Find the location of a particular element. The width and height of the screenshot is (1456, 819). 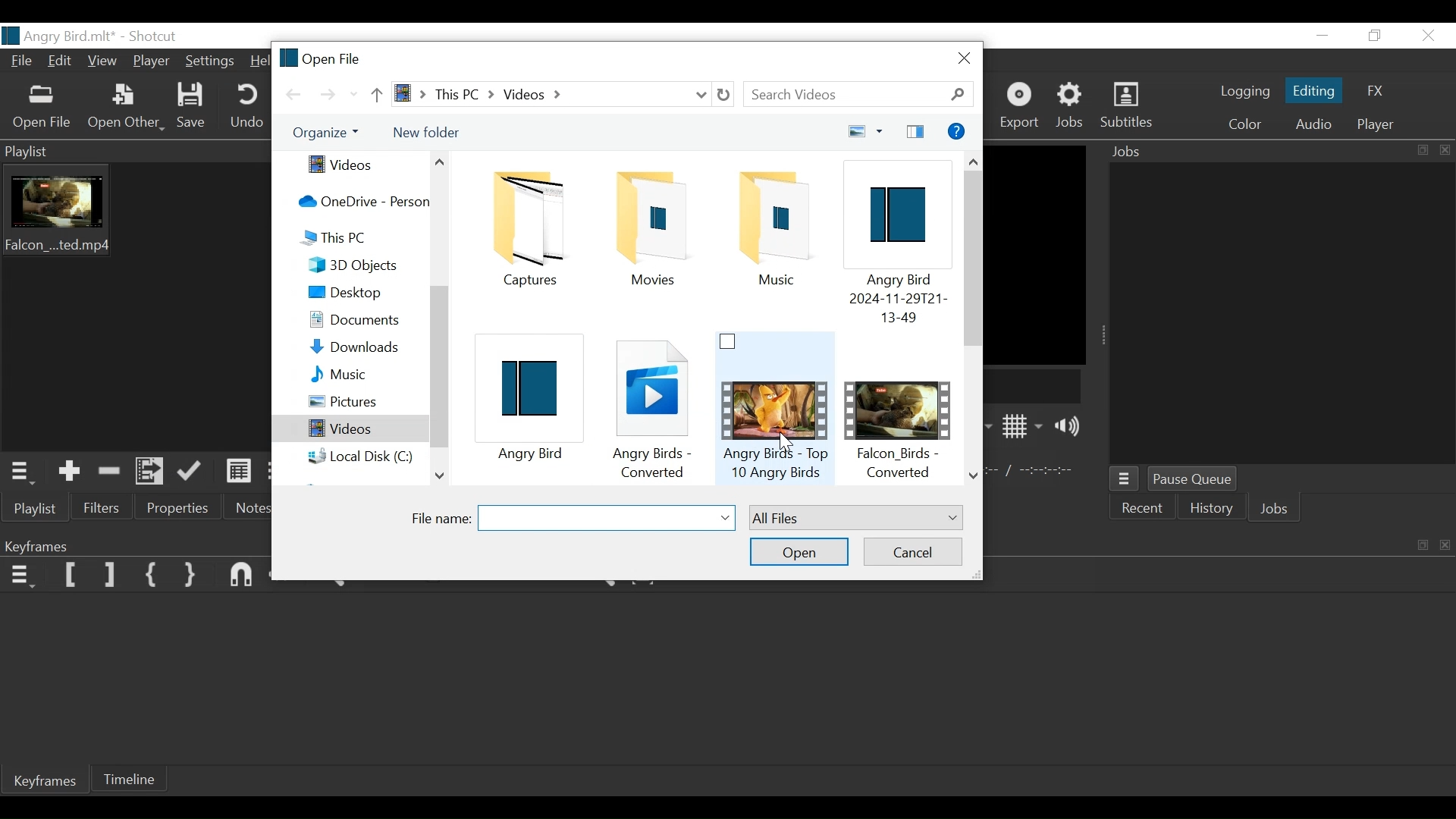

Jobs Panel is located at coordinates (1280, 312).